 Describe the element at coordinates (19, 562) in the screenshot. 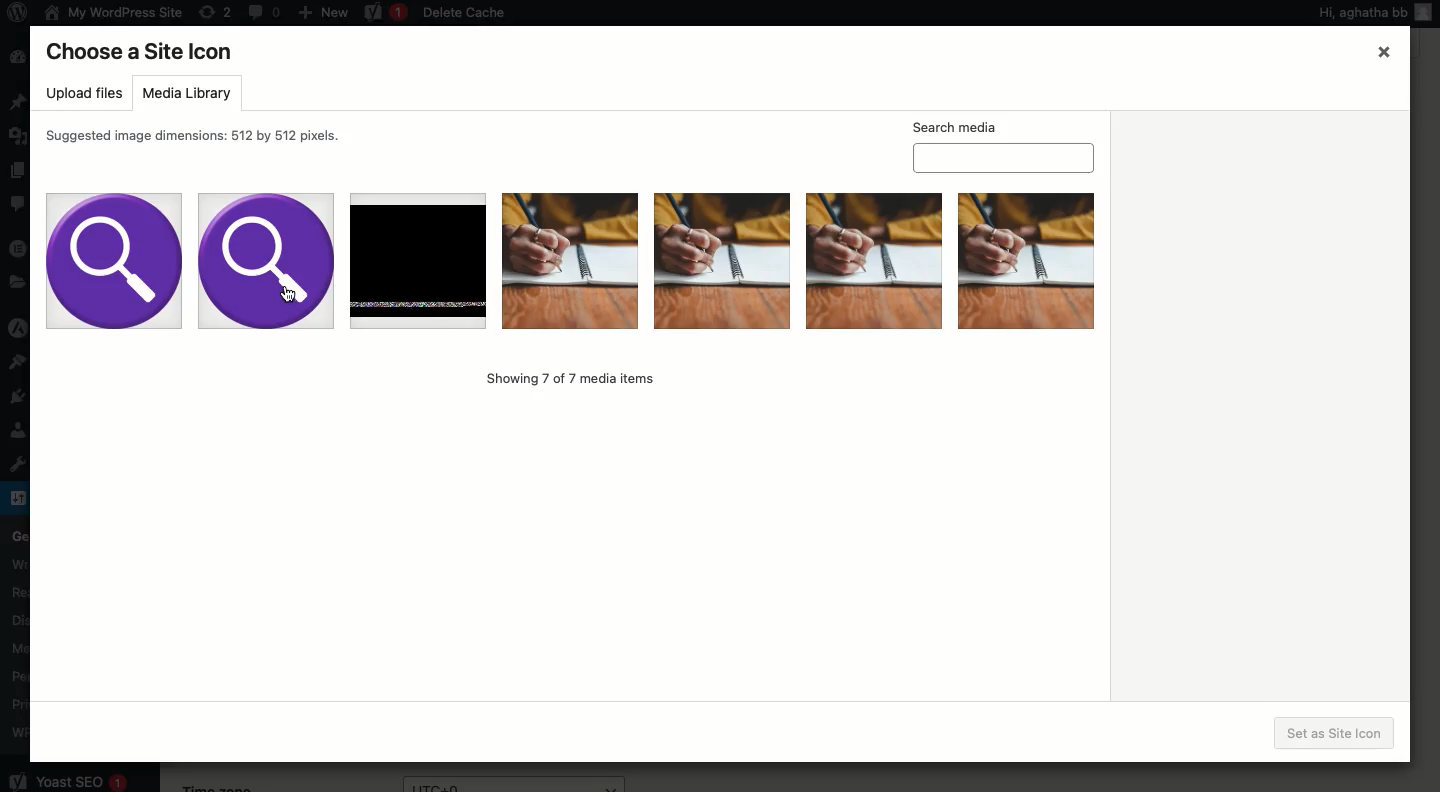

I see `Writing` at that location.